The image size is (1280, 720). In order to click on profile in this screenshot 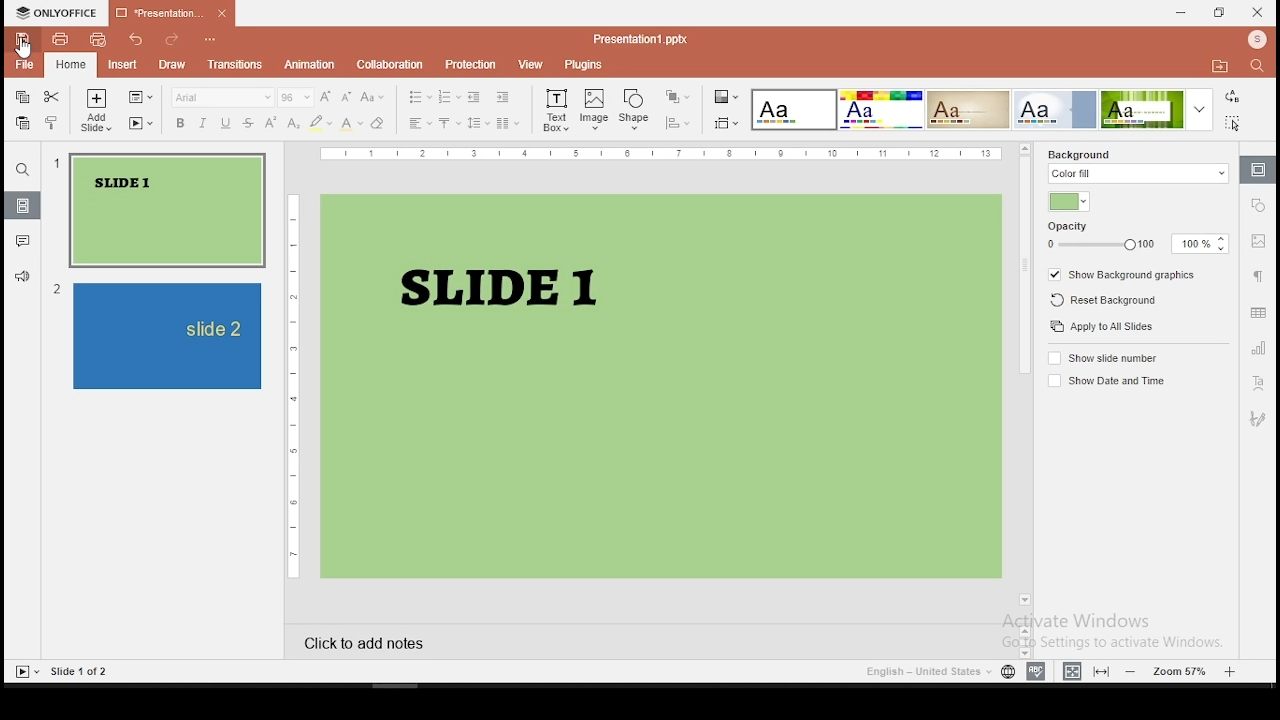, I will do `click(1258, 40)`.